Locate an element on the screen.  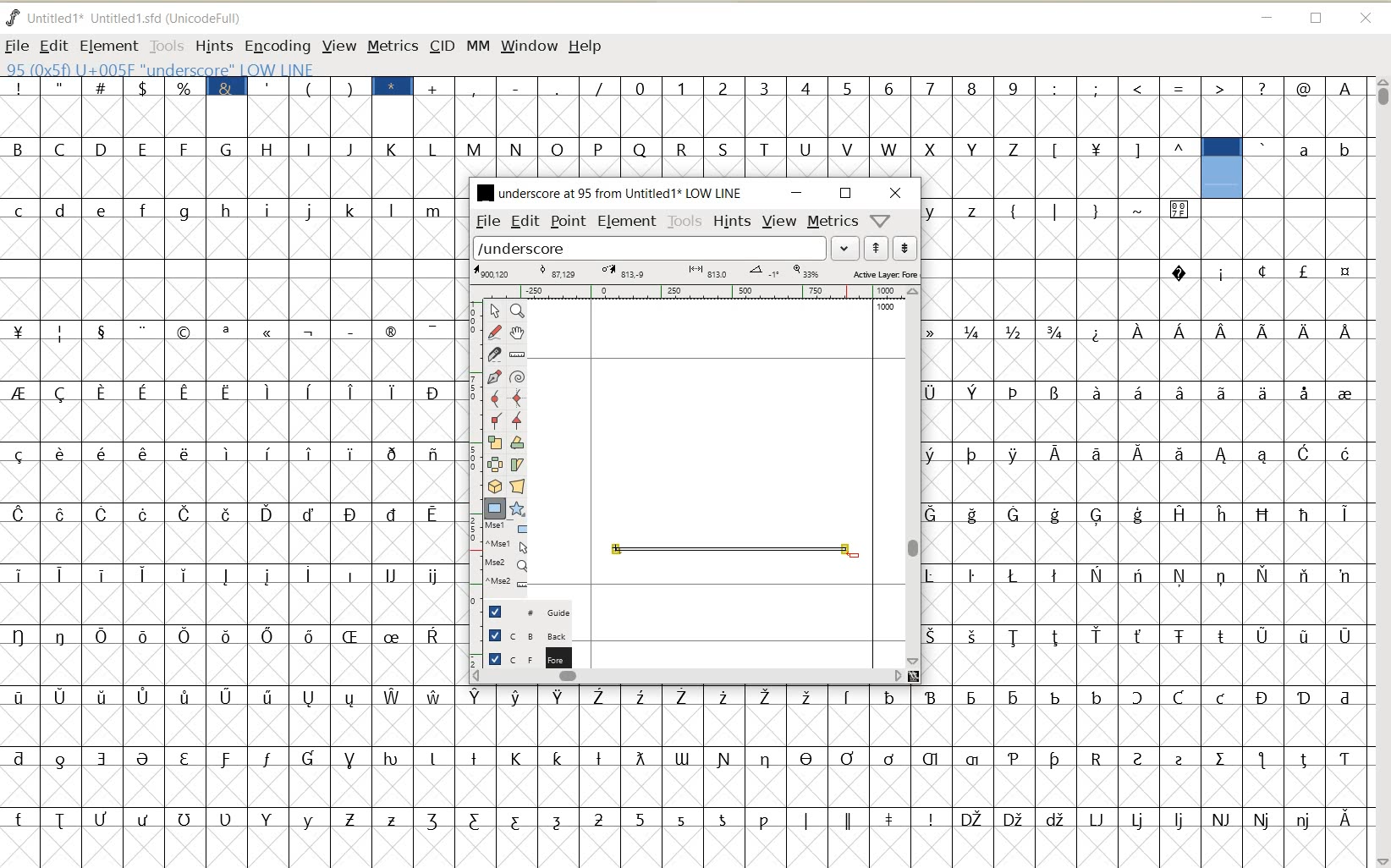
ACTIVE LAYR is located at coordinates (695, 272).